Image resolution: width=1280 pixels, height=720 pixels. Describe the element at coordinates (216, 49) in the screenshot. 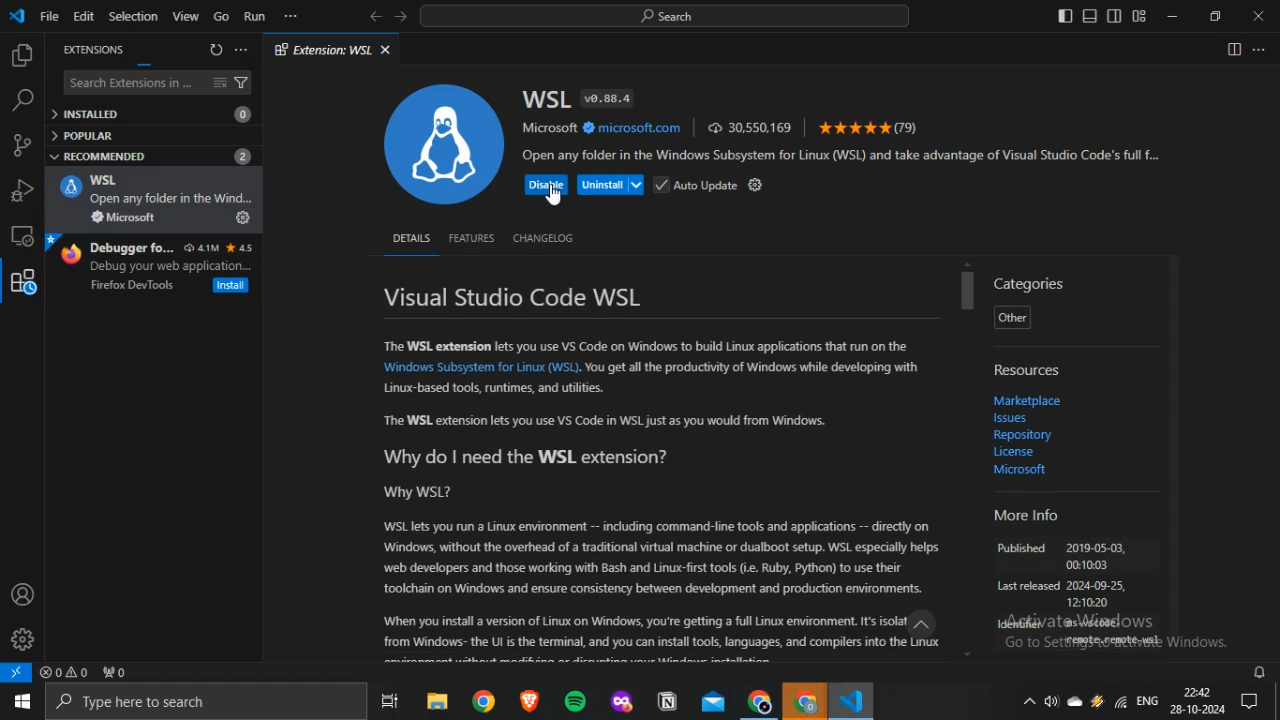

I see `refresh` at that location.